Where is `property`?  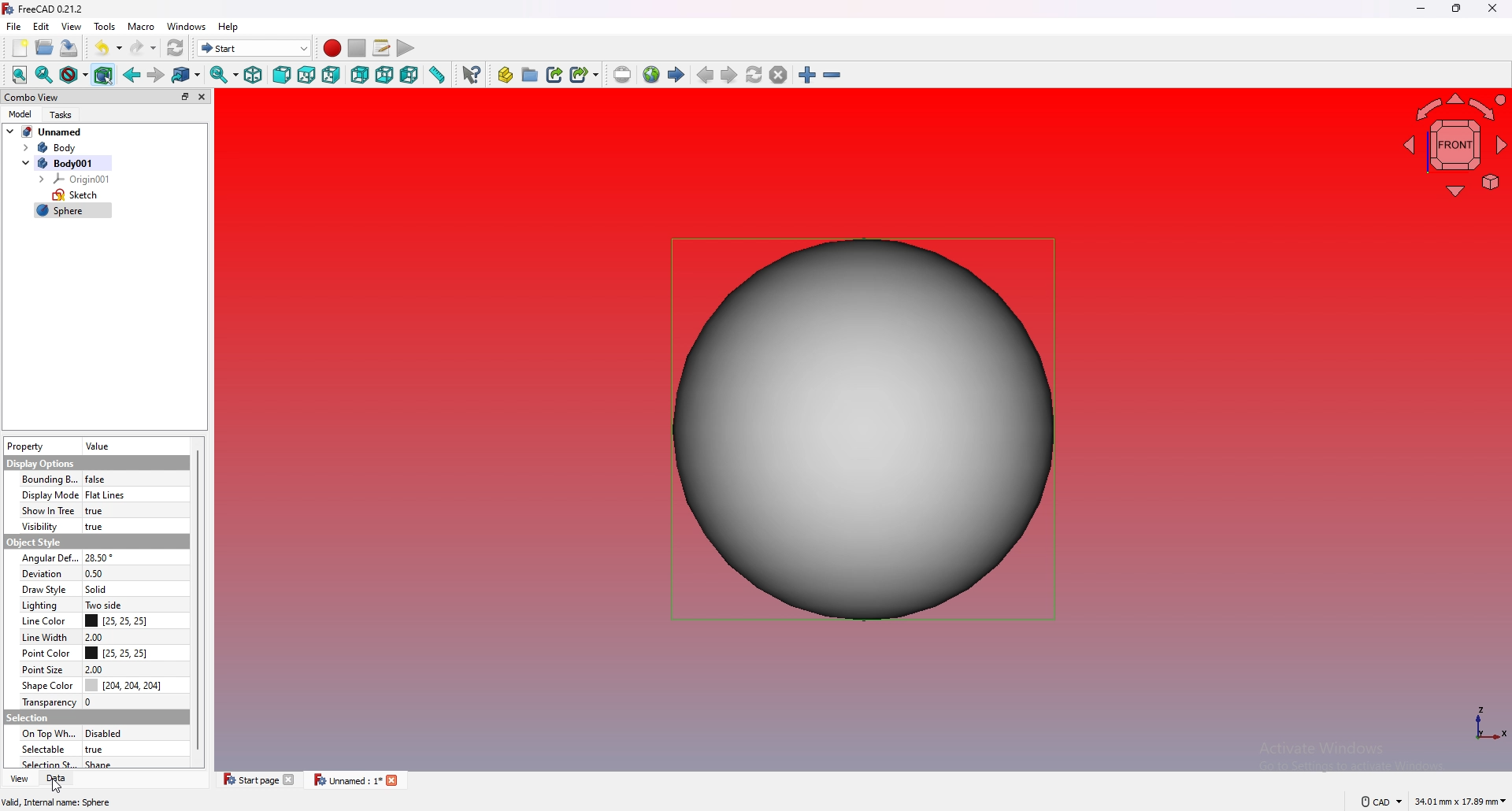 property is located at coordinates (41, 445).